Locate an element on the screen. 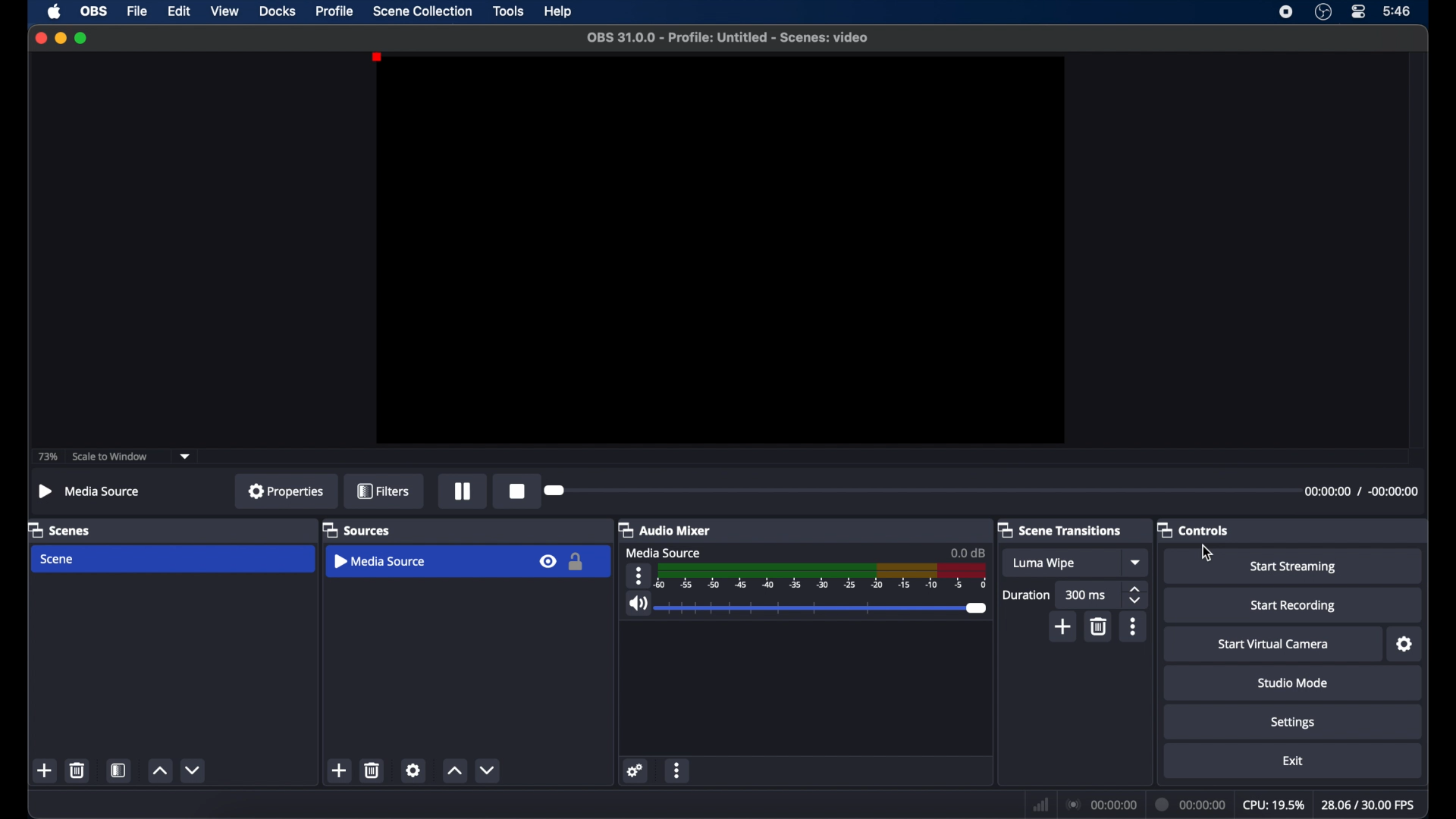 The image size is (1456, 819). sources is located at coordinates (356, 529).